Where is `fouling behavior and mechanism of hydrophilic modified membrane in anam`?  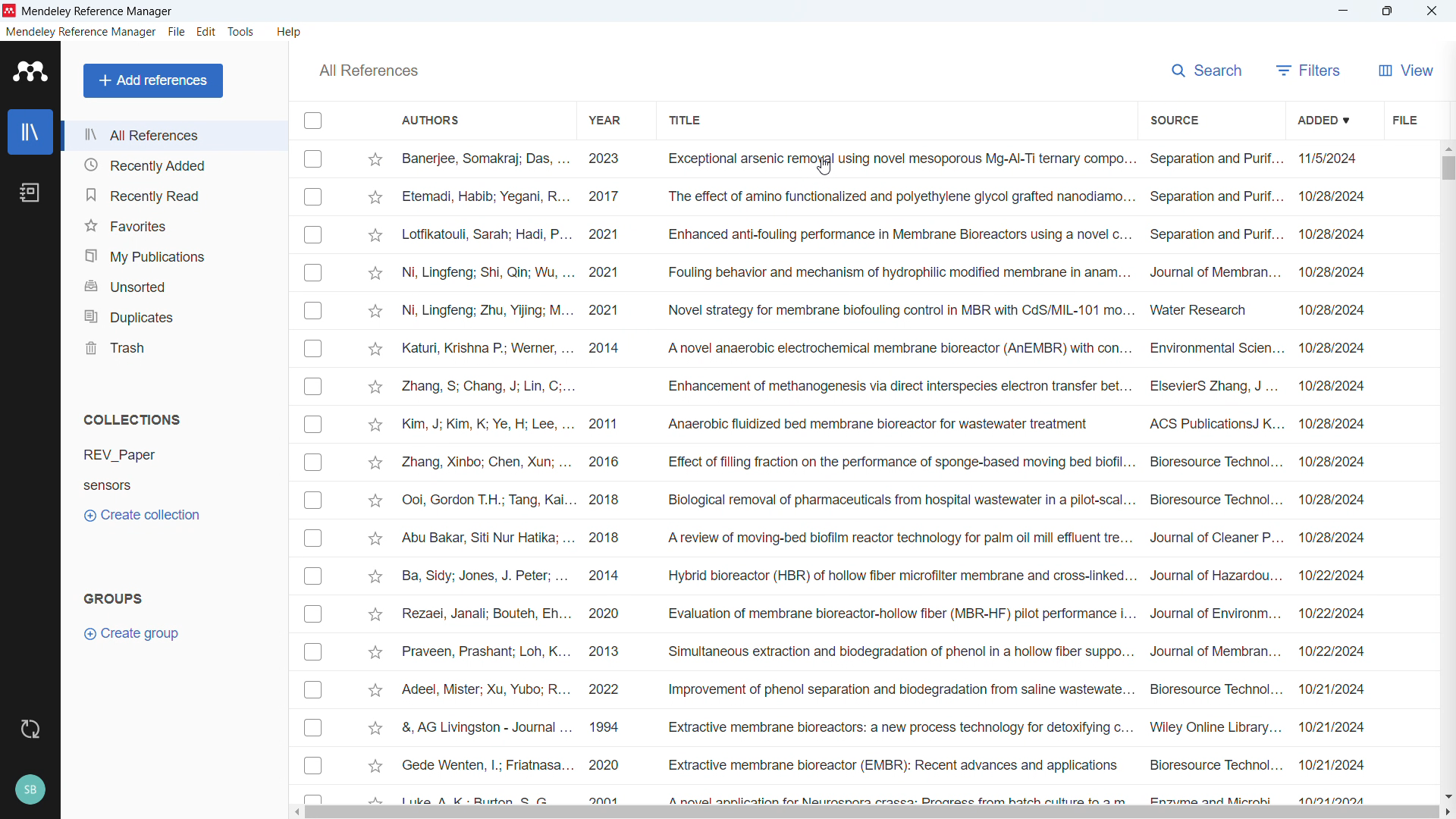
fouling behavior and mechanism of hydrophilic modified membrane in anam is located at coordinates (893, 271).